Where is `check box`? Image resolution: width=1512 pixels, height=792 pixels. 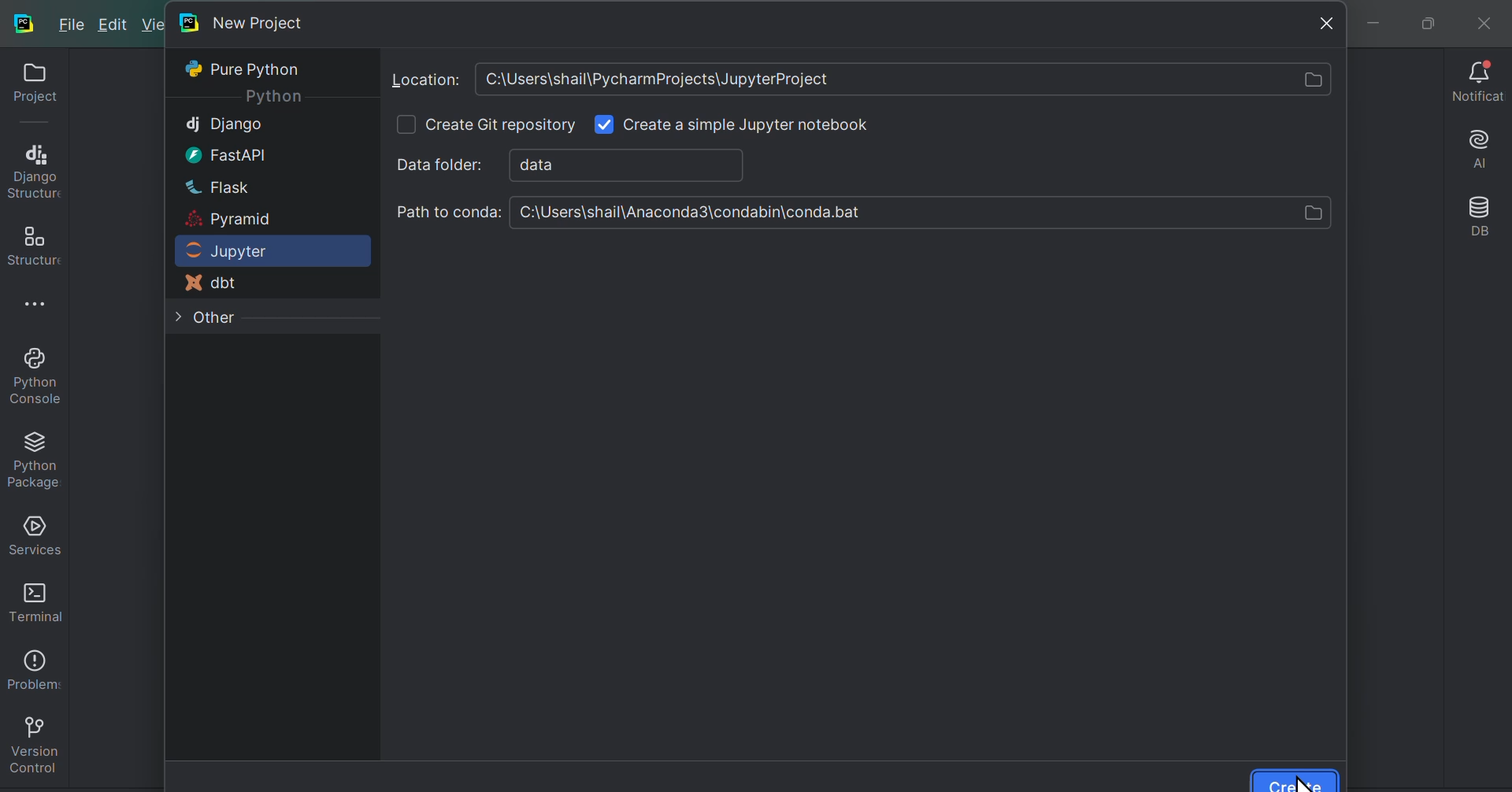 check box is located at coordinates (405, 124).